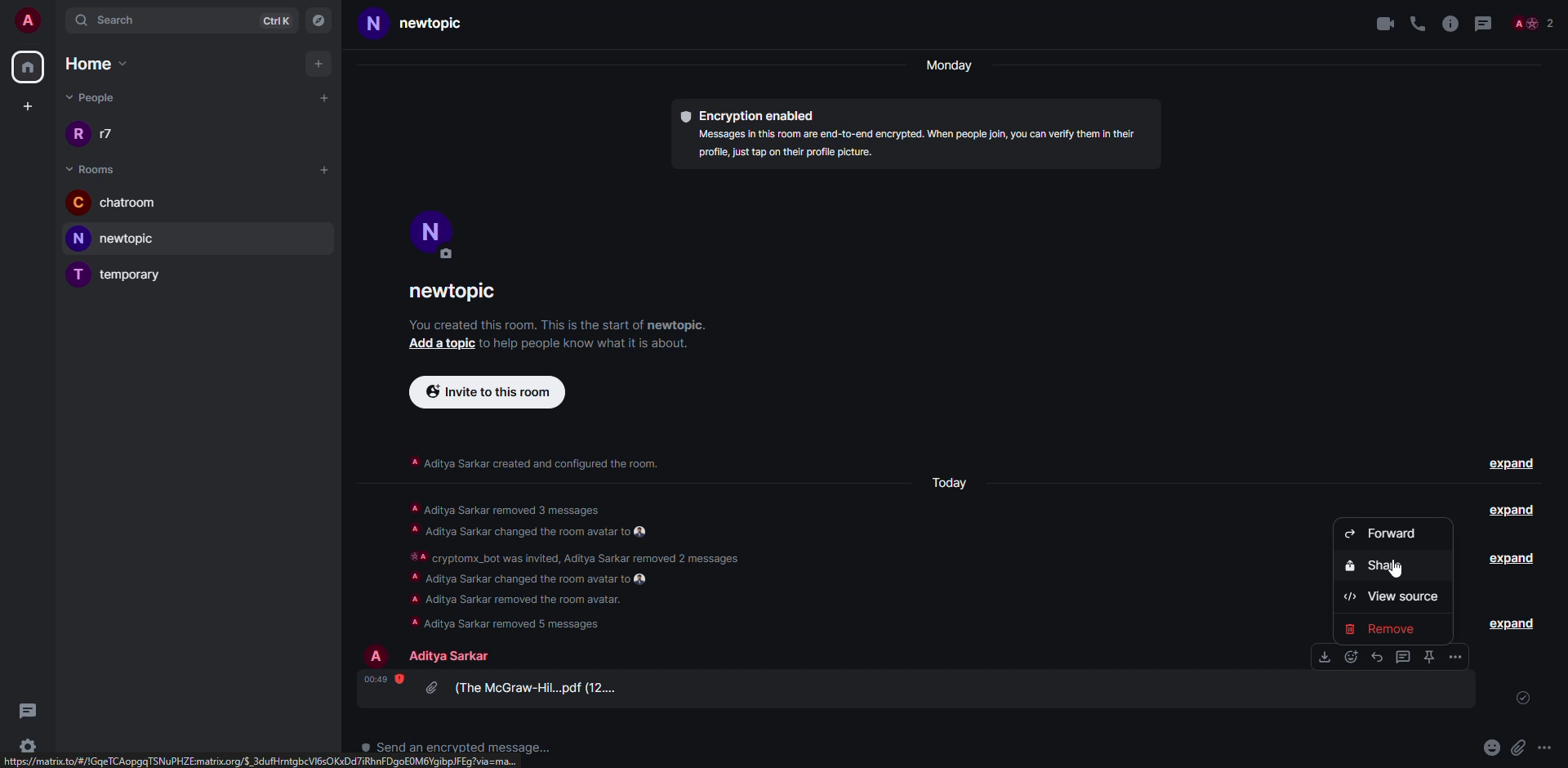  Describe the element at coordinates (29, 66) in the screenshot. I see `home` at that location.